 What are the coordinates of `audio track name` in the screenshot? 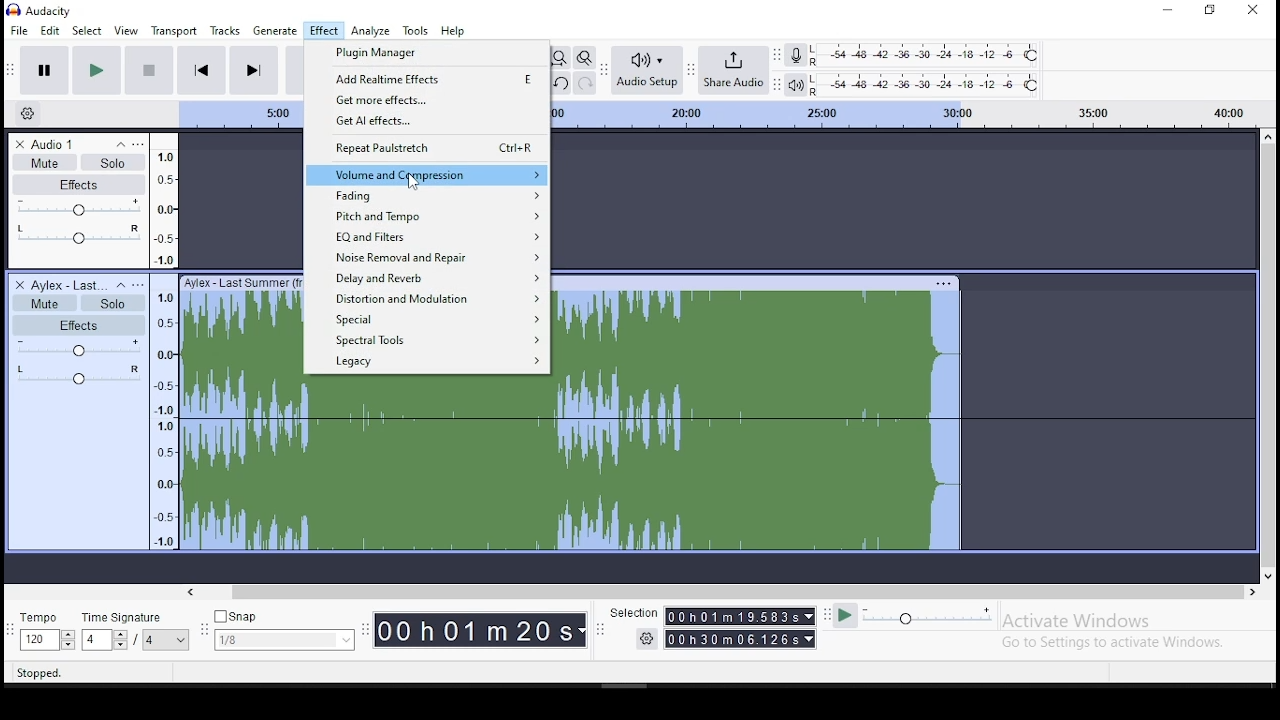 It's located at (69, 142).